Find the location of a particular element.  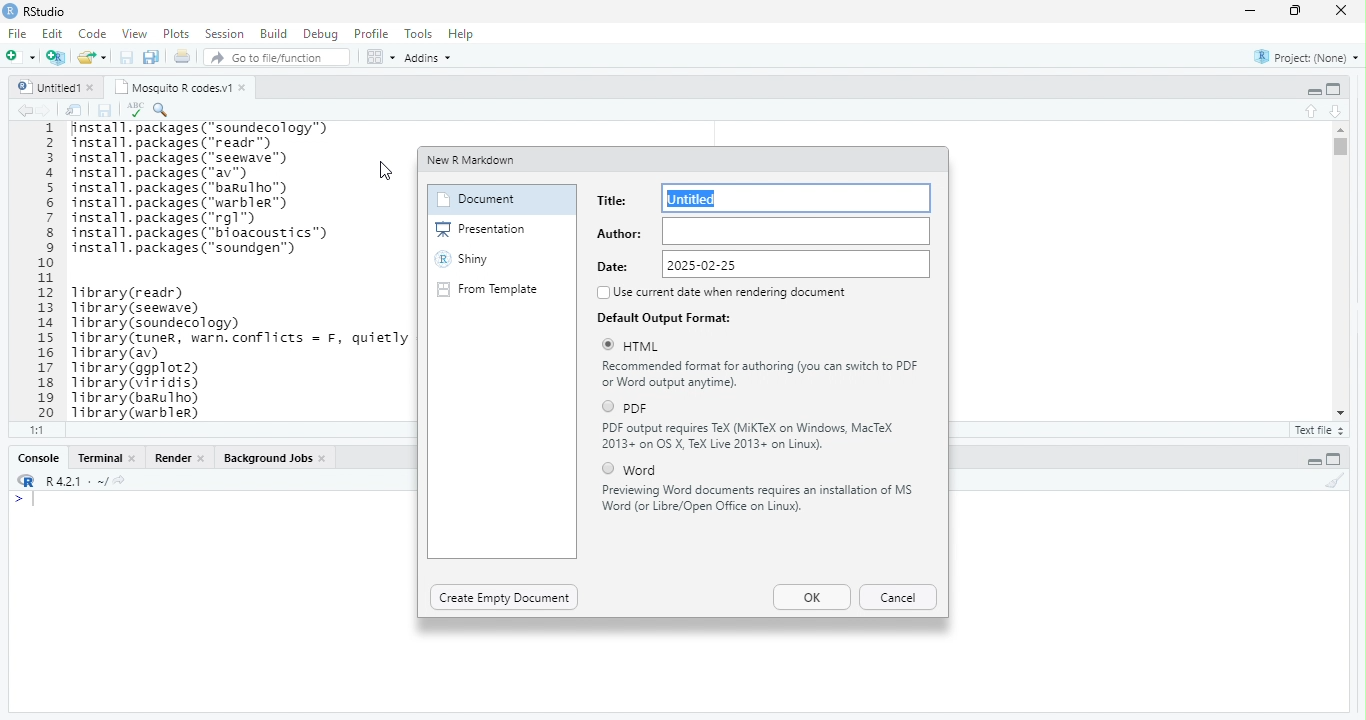

File is located at coordinates (20, 34).